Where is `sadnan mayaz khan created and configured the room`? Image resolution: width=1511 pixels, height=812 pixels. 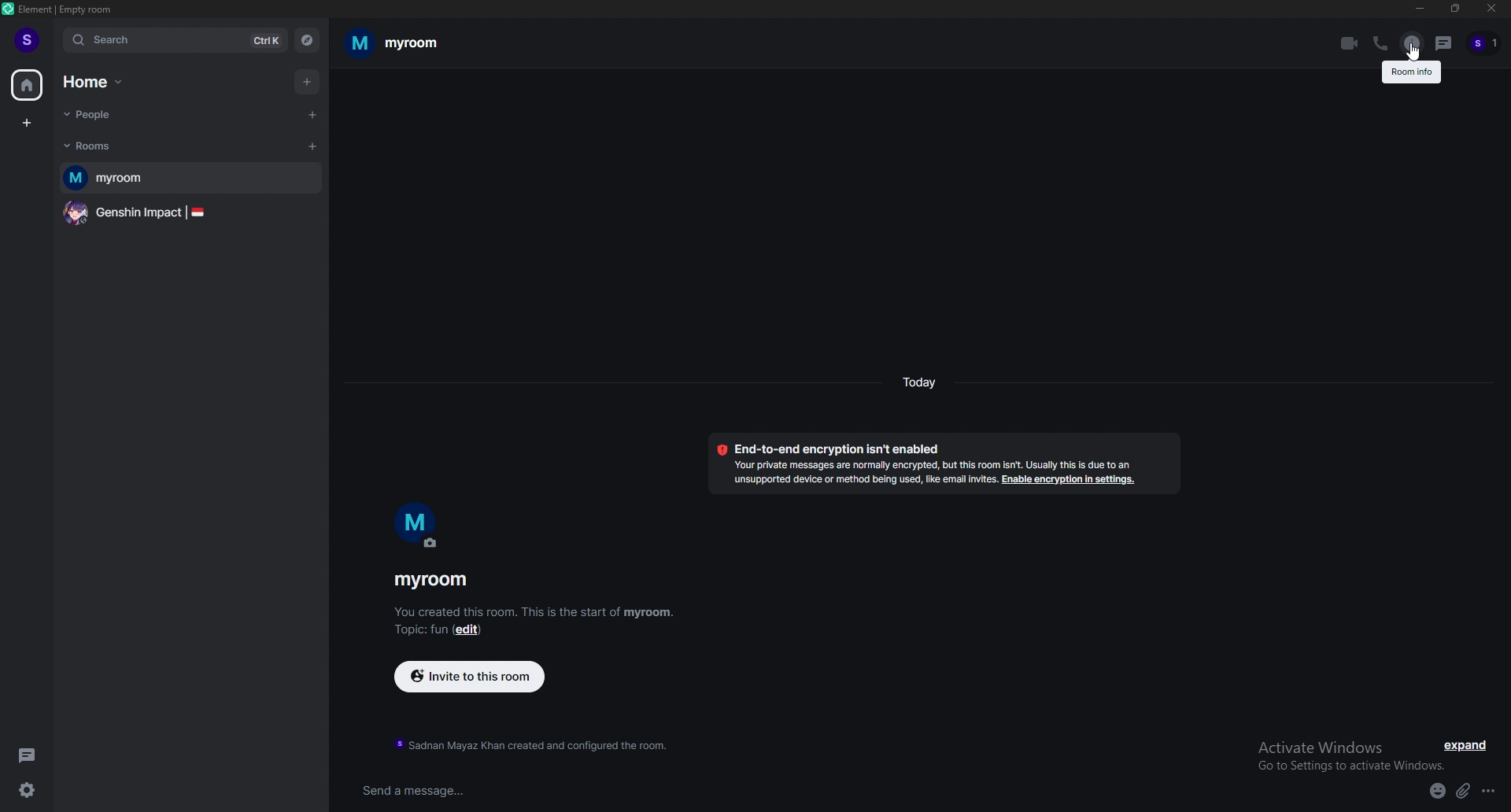
sadnan mayaz khan created and configured the room is located at coordinates (531, 744).